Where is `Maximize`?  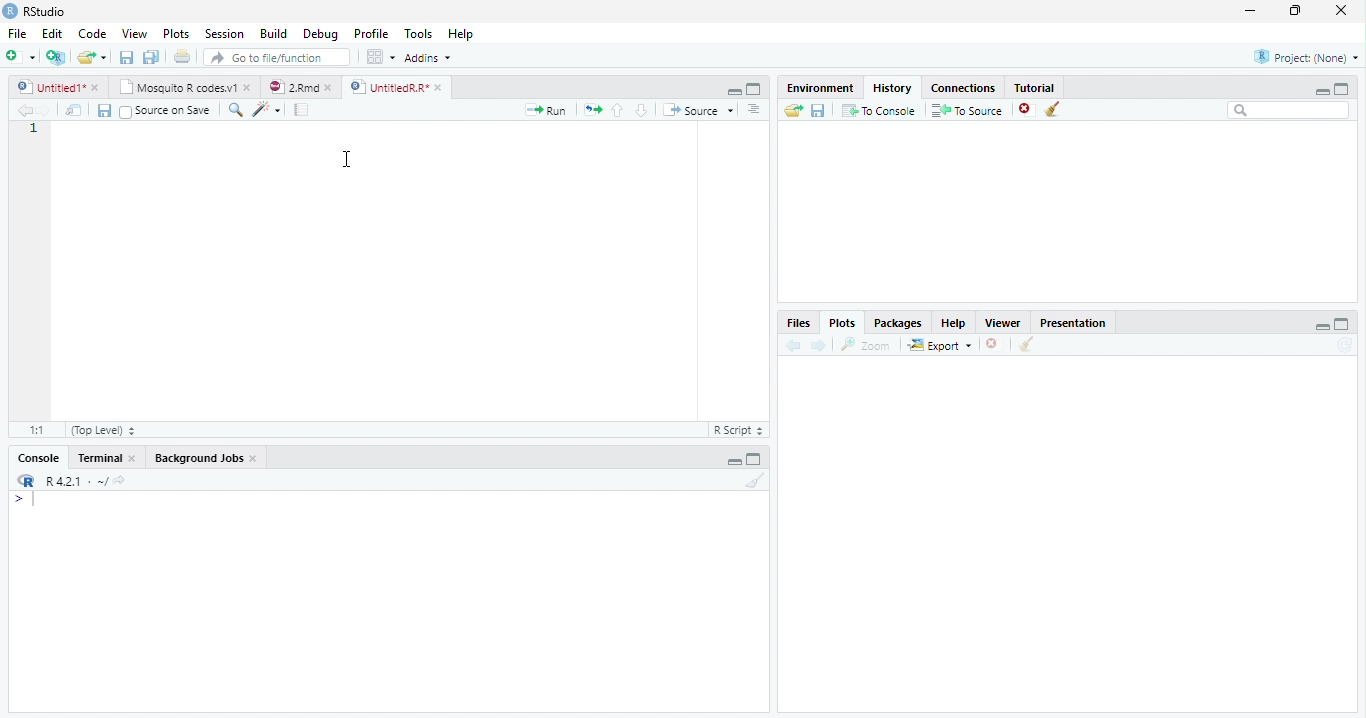
Maximize is located at coordinates (1346, 88).